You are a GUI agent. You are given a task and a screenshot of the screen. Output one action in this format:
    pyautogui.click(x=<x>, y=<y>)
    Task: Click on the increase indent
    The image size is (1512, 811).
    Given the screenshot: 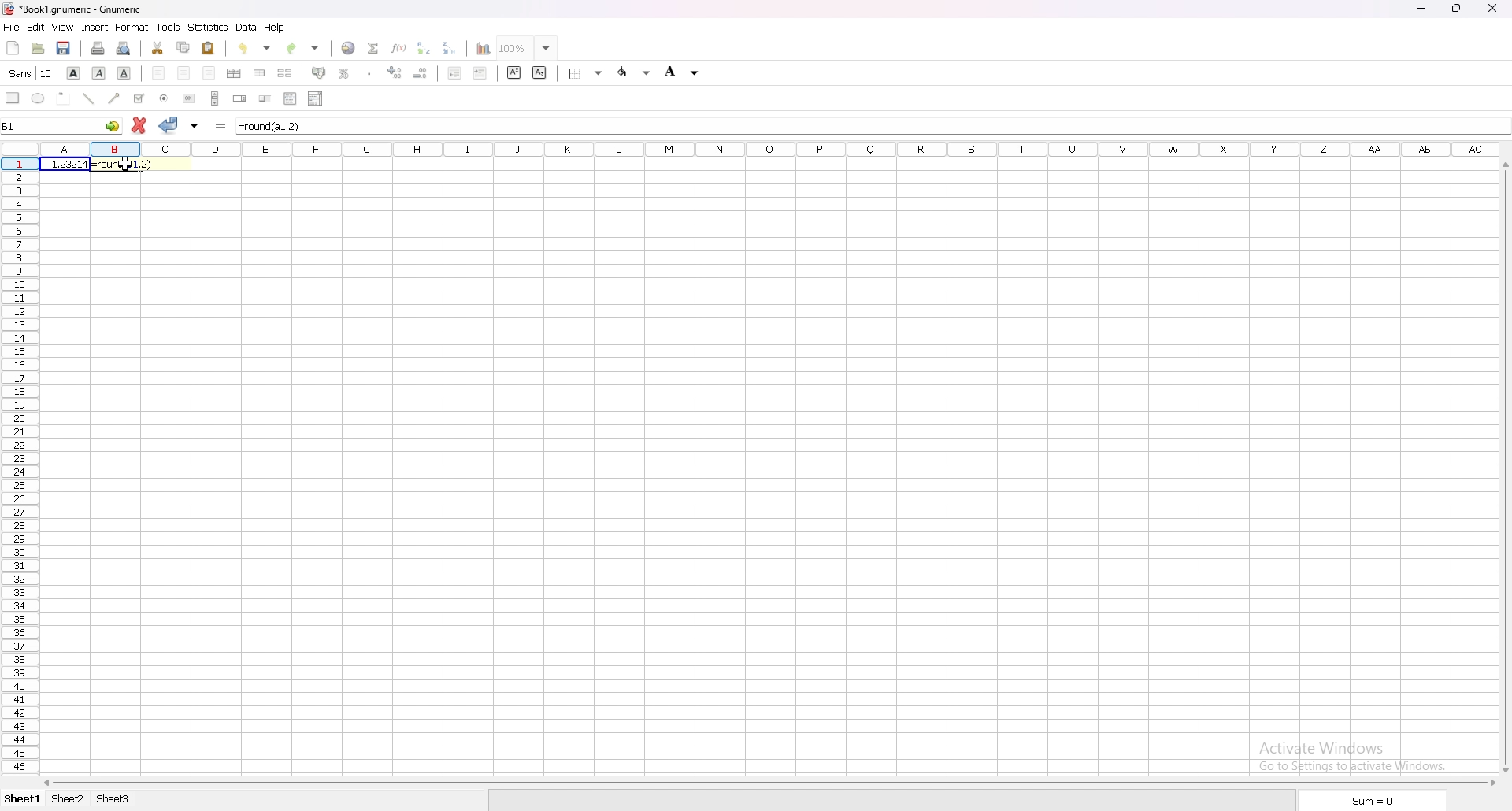 What is the action you would take?
    pyautogui.click(x=480, y=74)
    